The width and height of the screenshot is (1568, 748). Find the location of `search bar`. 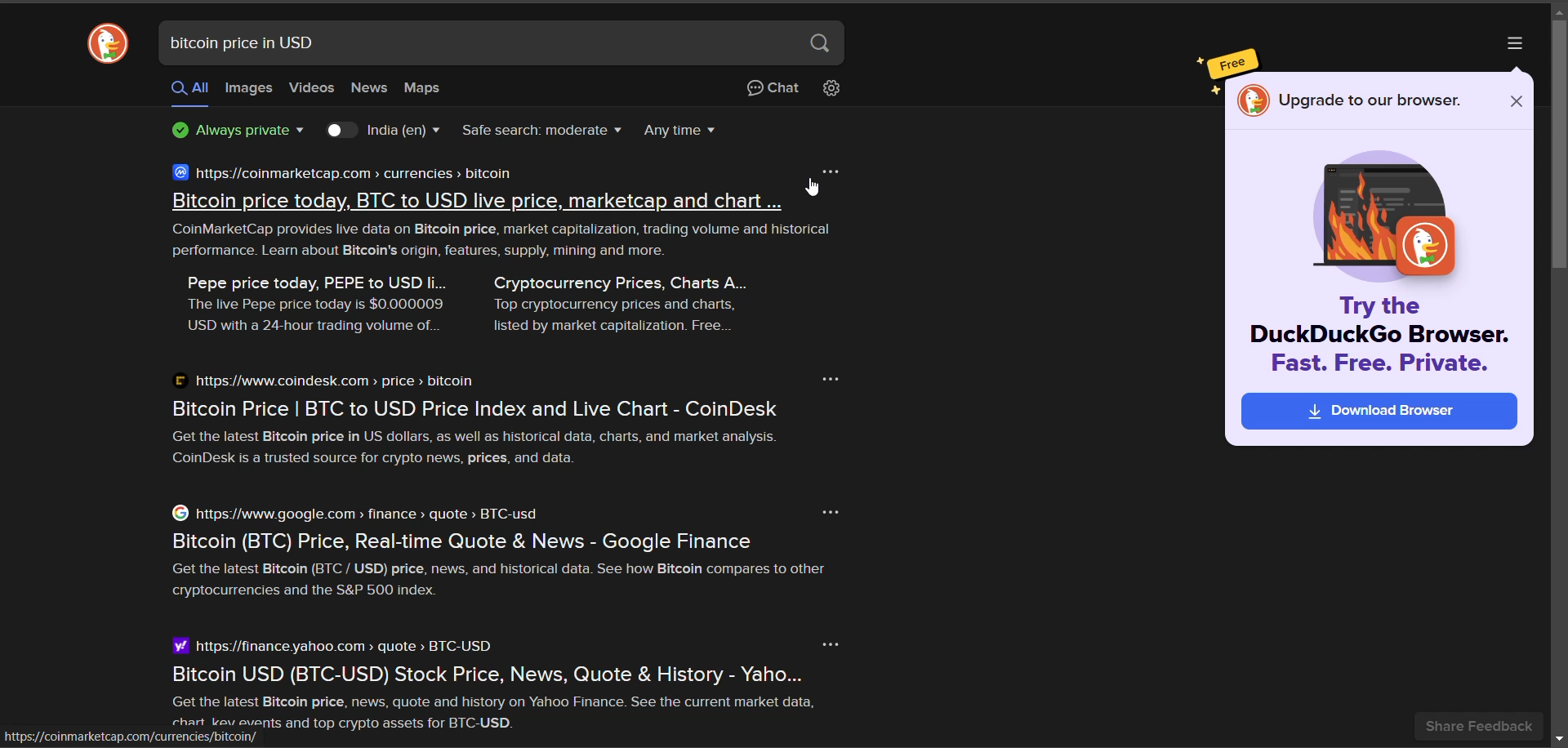

search bar is located at coordinates (432, 43).